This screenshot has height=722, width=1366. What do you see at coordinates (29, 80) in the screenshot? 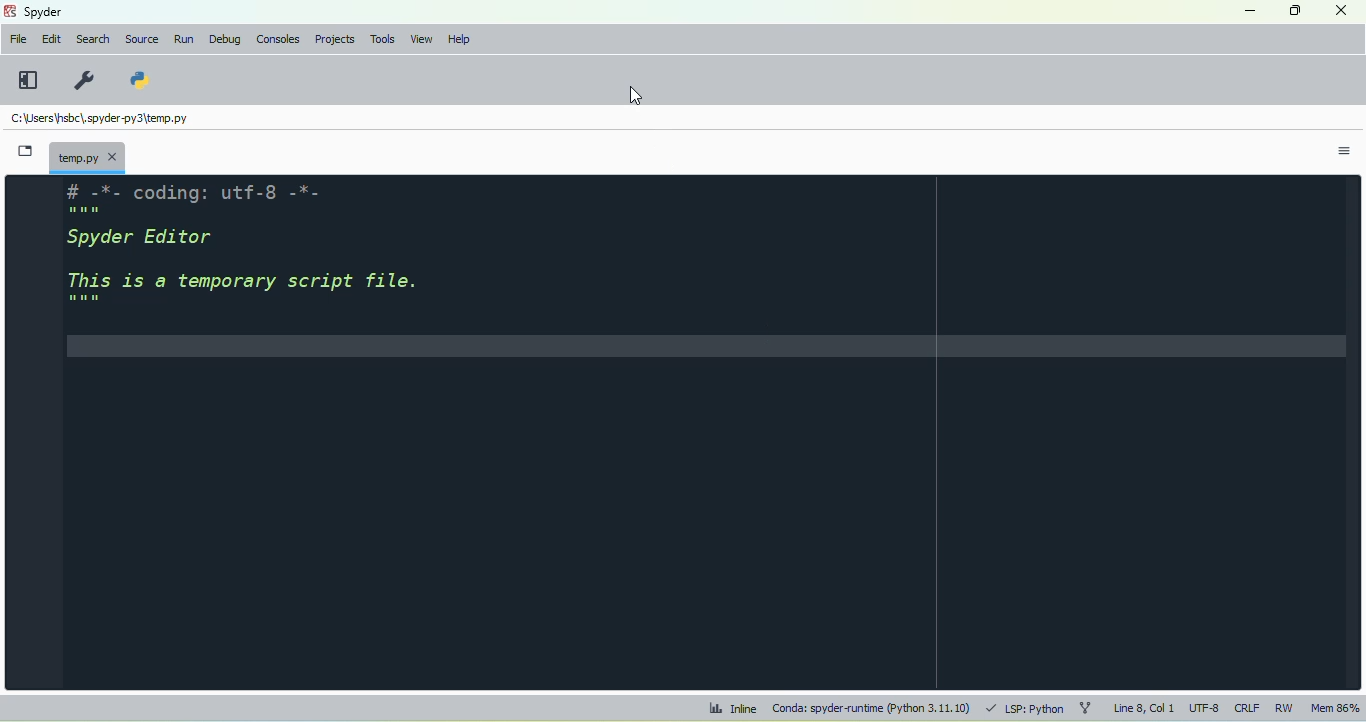
I see `maximize current pane` at bounding box center [29, 80].